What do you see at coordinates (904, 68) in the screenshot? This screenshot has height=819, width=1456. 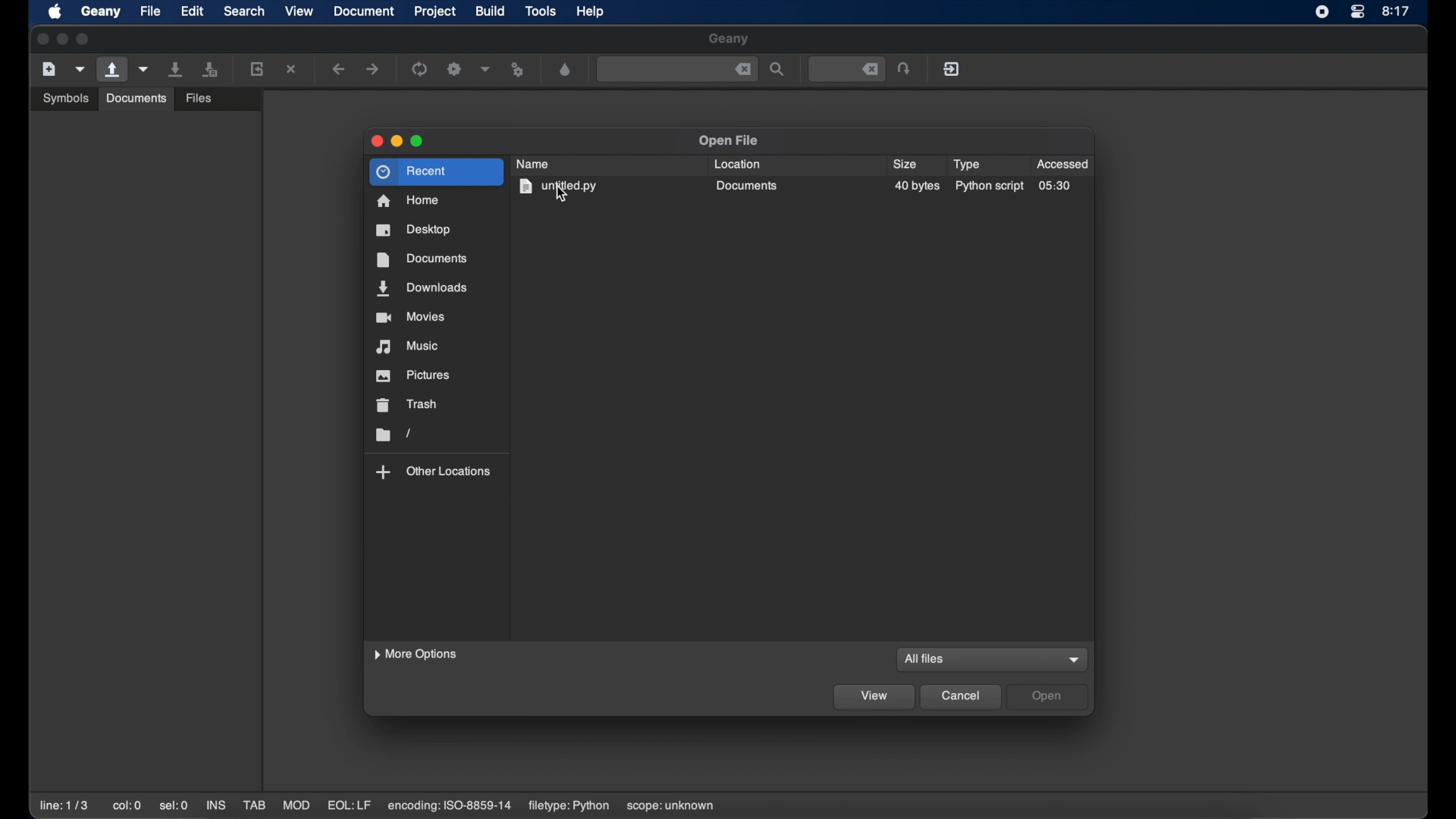 I see `jump to the entered line number` at bounding box center [904, 68].